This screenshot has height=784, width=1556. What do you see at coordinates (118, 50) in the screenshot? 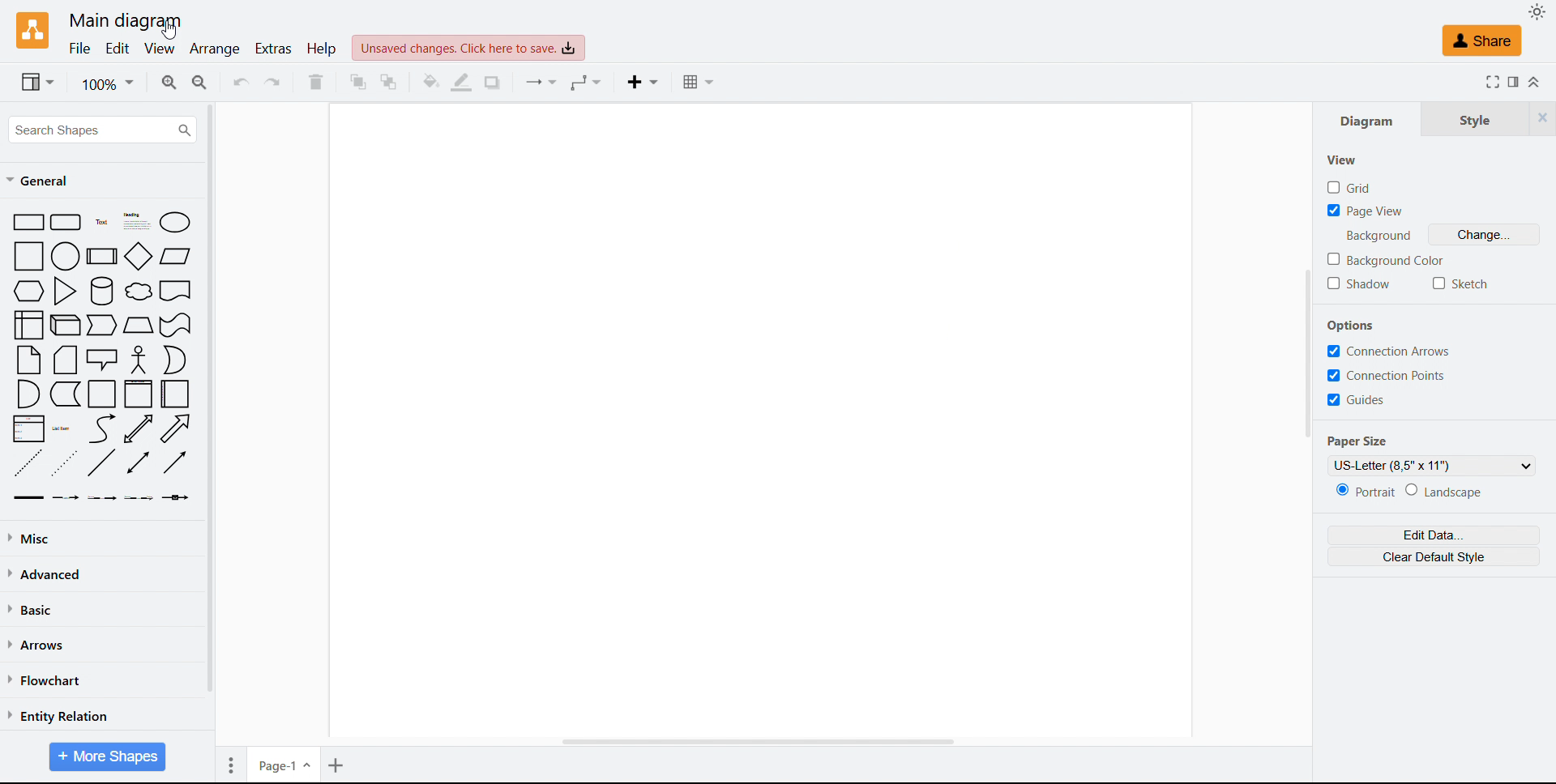
I see `Edit ` at bounding box center [118, 50].